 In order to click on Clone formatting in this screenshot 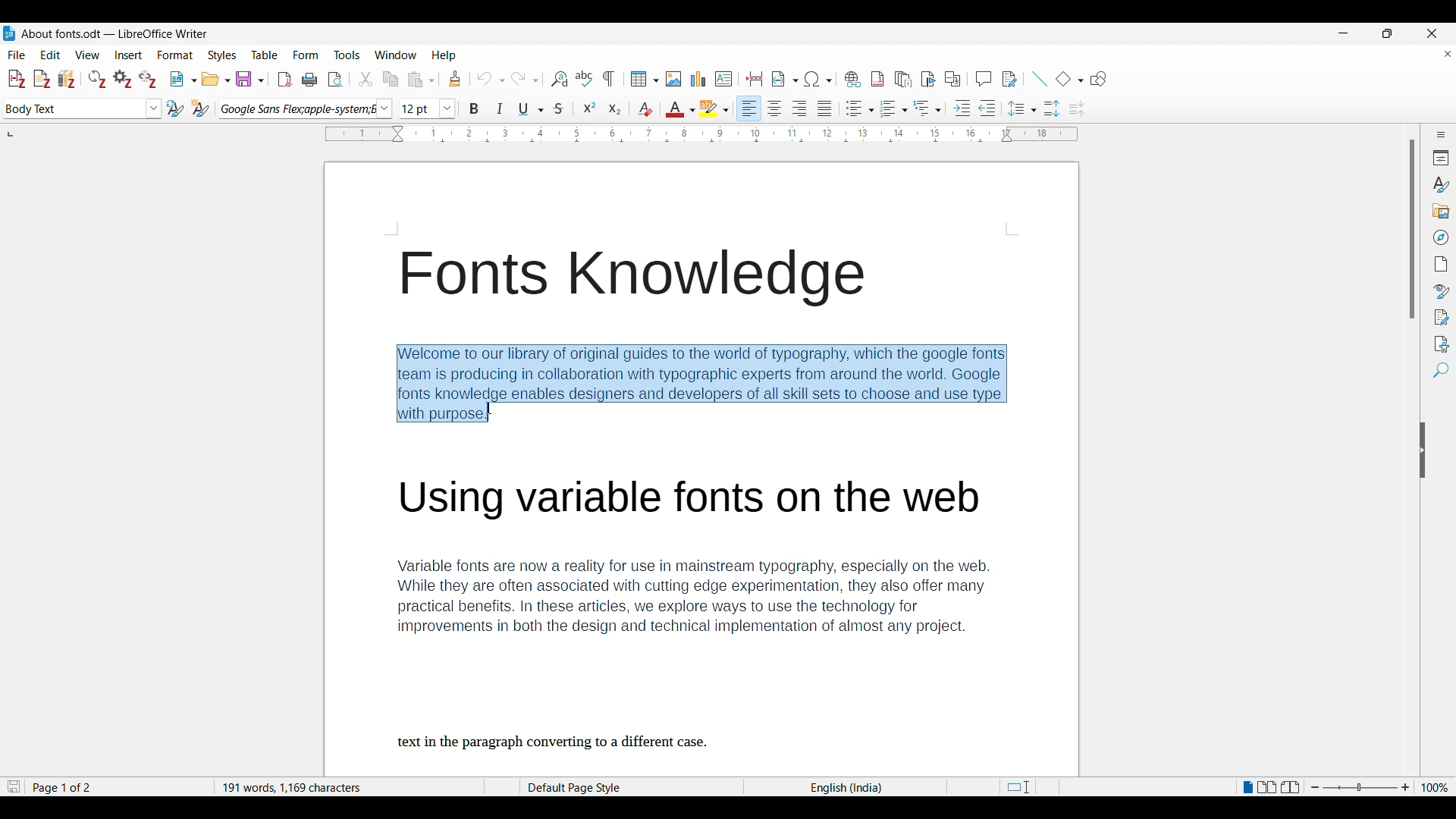, I will do `click(455, 79)`.